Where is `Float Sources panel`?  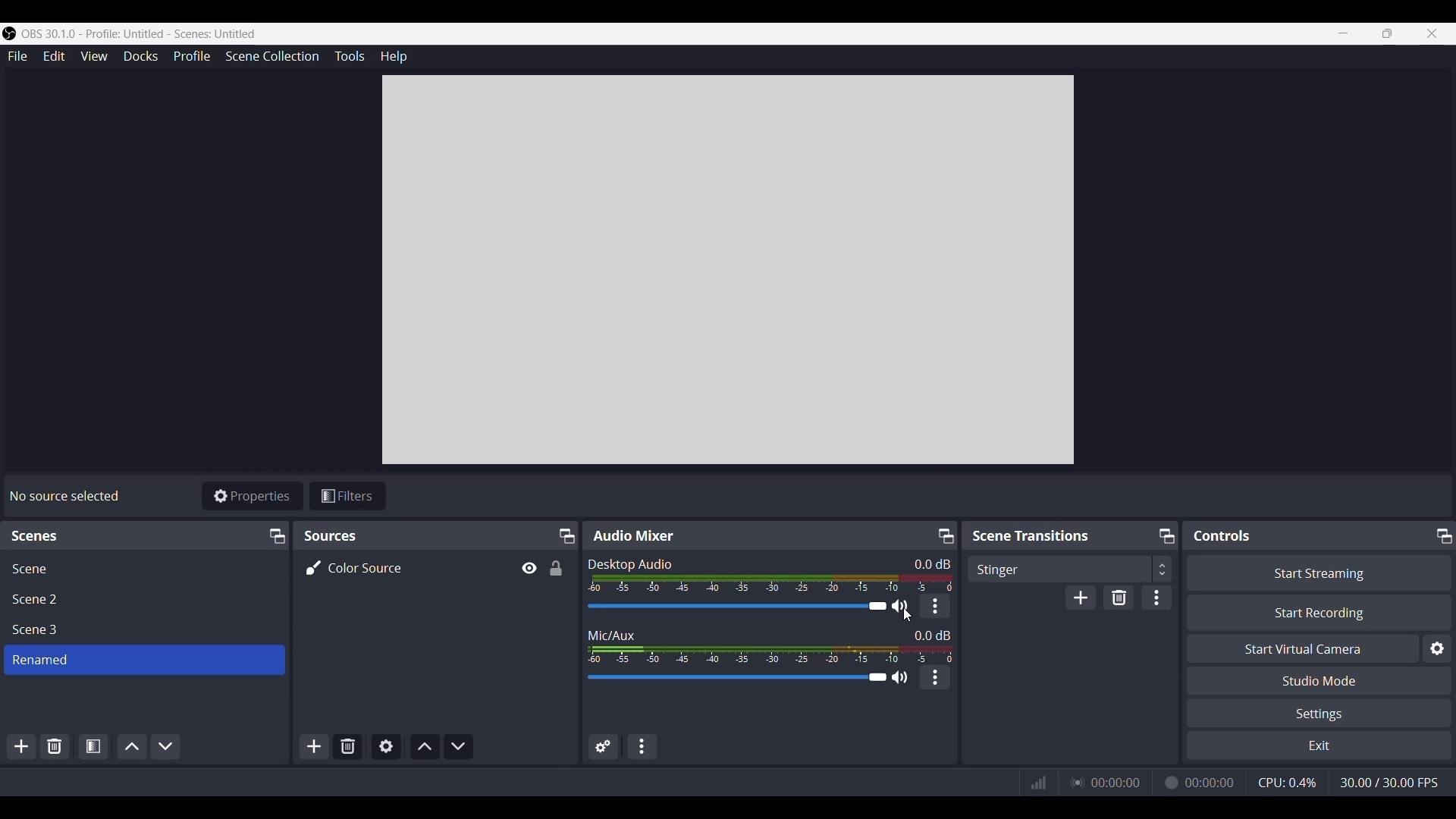 Float Sources panel is located at coordinates (566, 536).